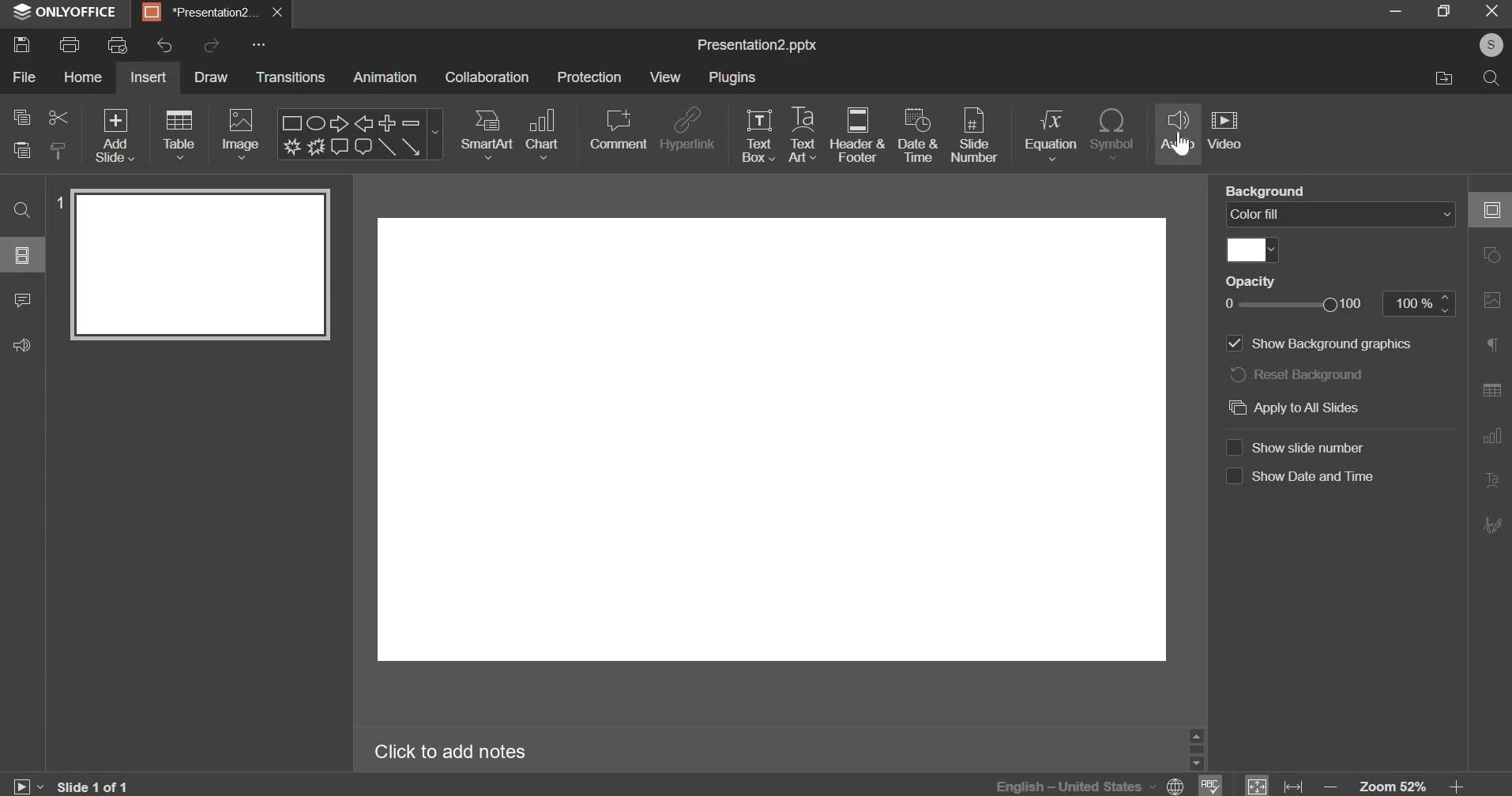 The image size is (1512, 796). Describe the element at coordinates (1087, 785) in the screenshot. I see `english-united states` at that location.